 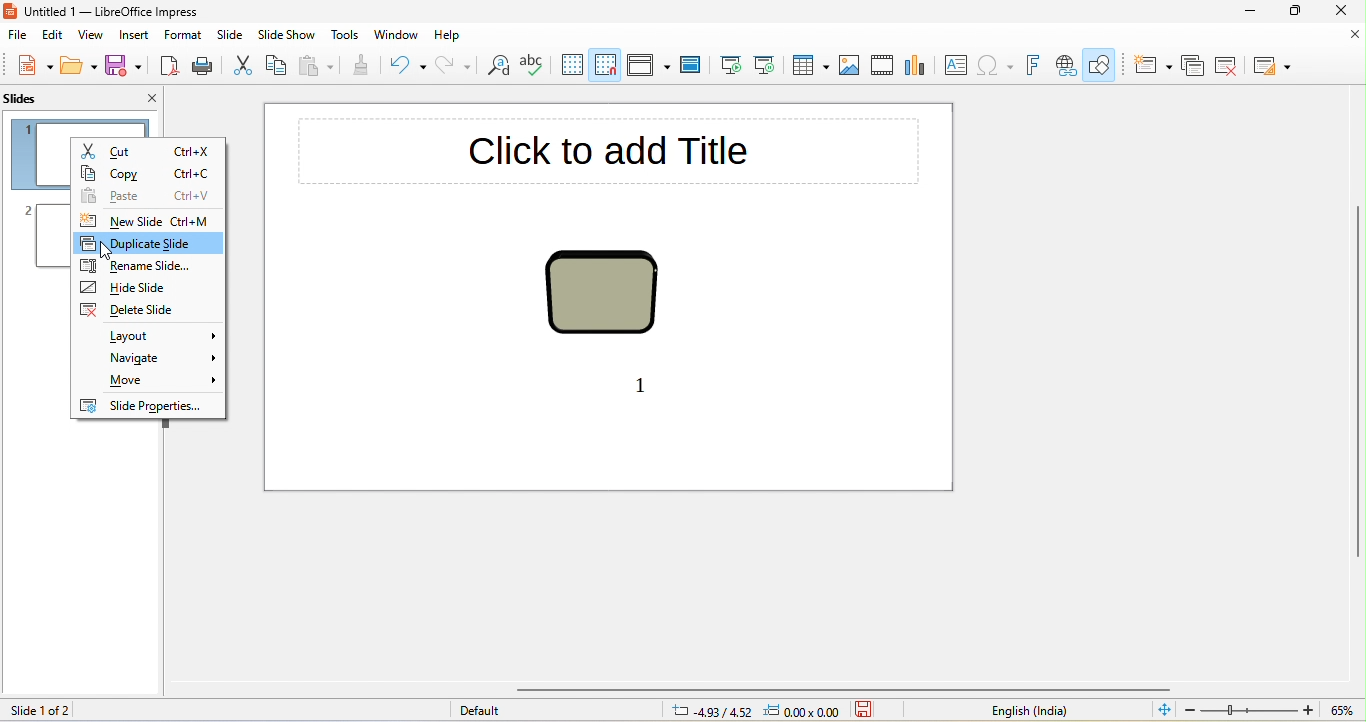 I want to click on text box, so click(x=953, y=65).